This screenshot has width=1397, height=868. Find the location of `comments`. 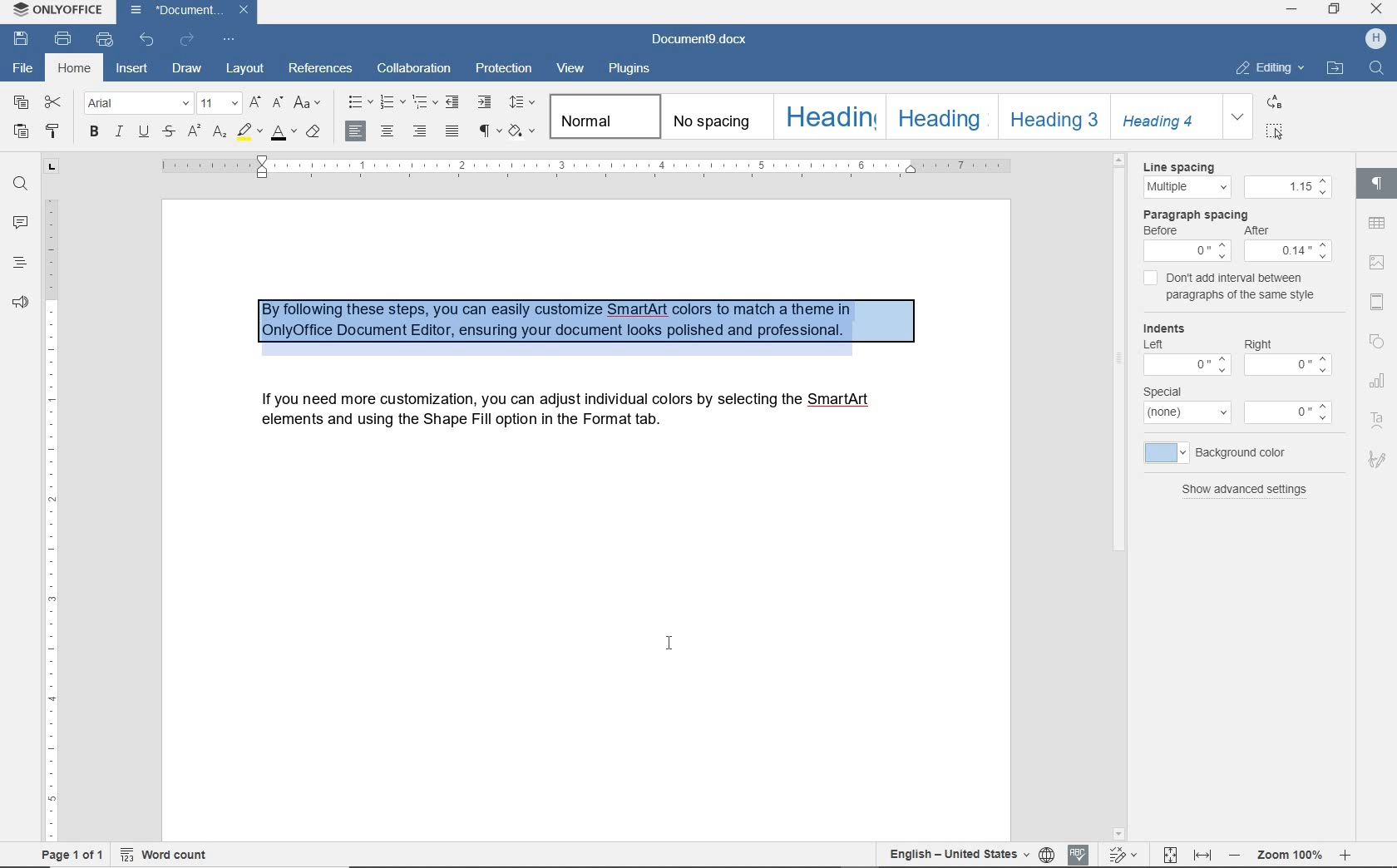

comments is located at coordinates (20, 225).